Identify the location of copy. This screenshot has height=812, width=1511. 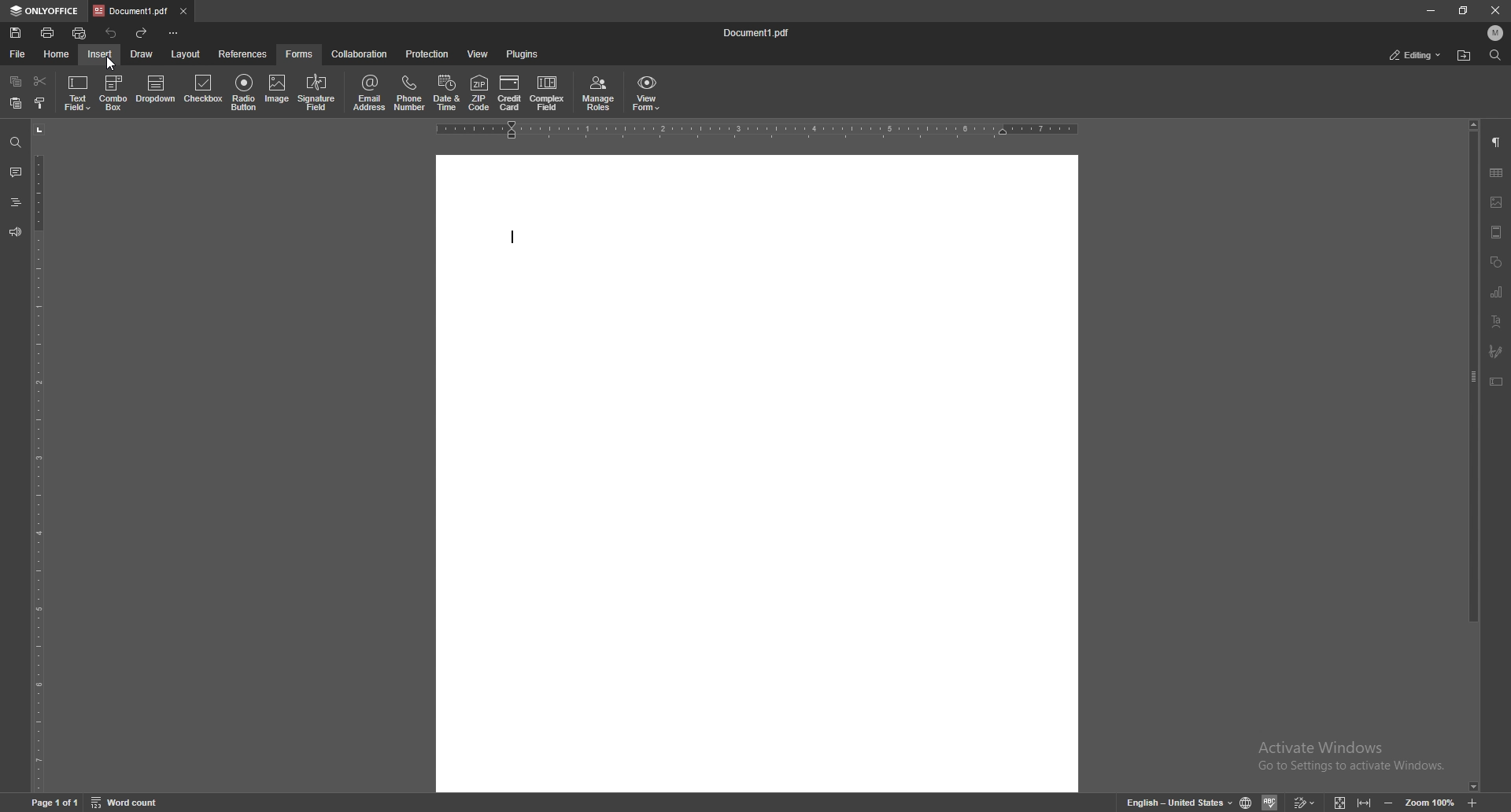
(17, 80).